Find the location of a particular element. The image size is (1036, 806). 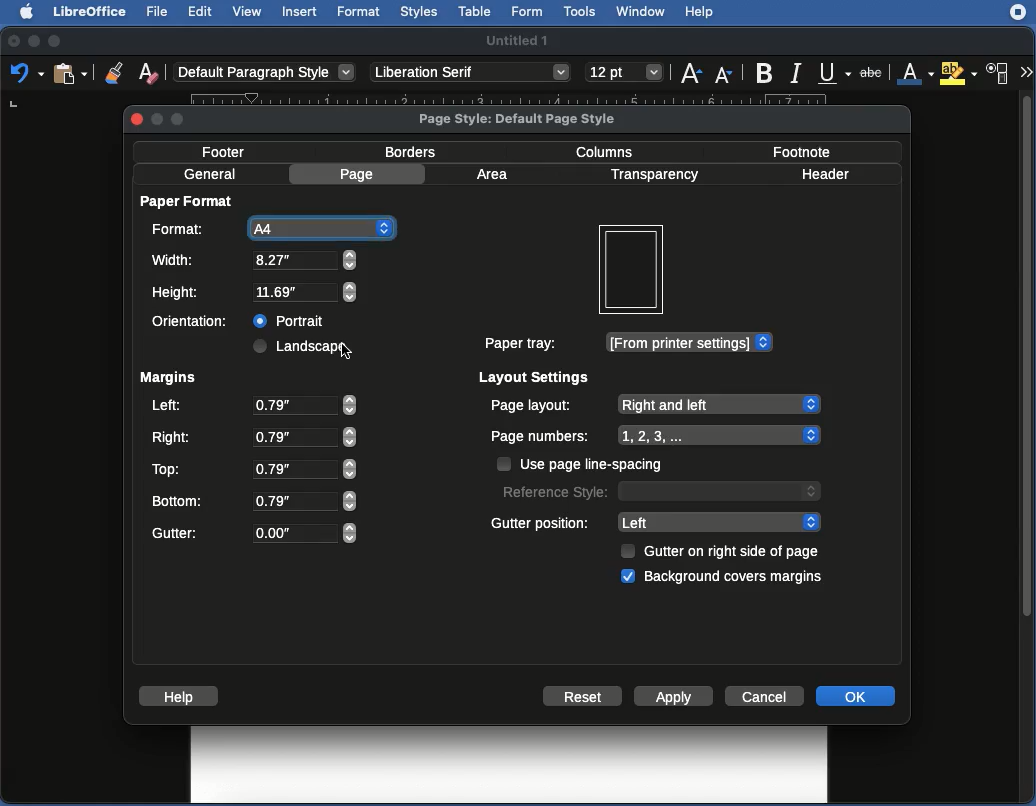

Tools is located at coordinates (582, 11).